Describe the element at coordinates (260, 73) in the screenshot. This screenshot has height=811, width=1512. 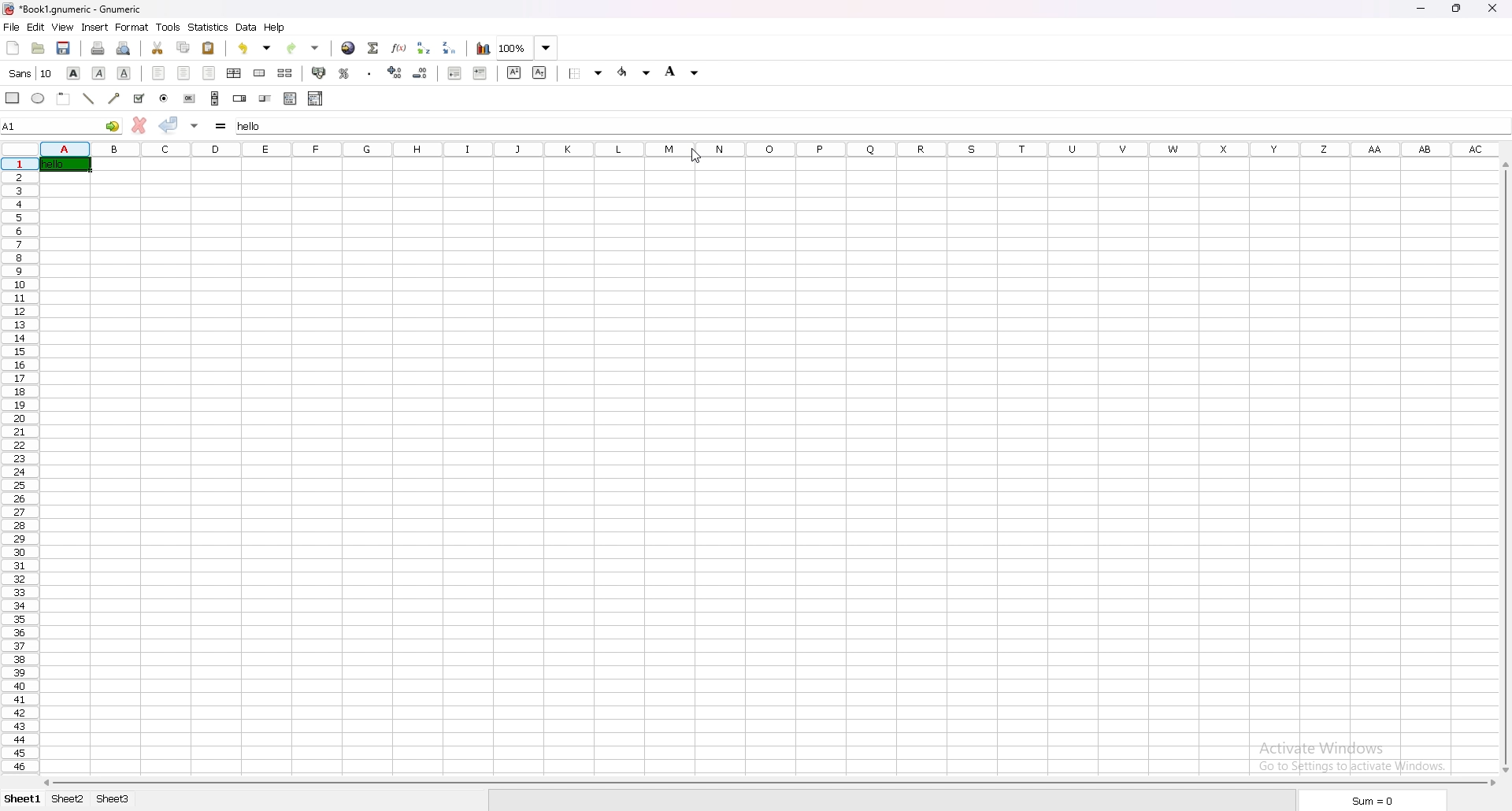
I see `merge cells` at that location.